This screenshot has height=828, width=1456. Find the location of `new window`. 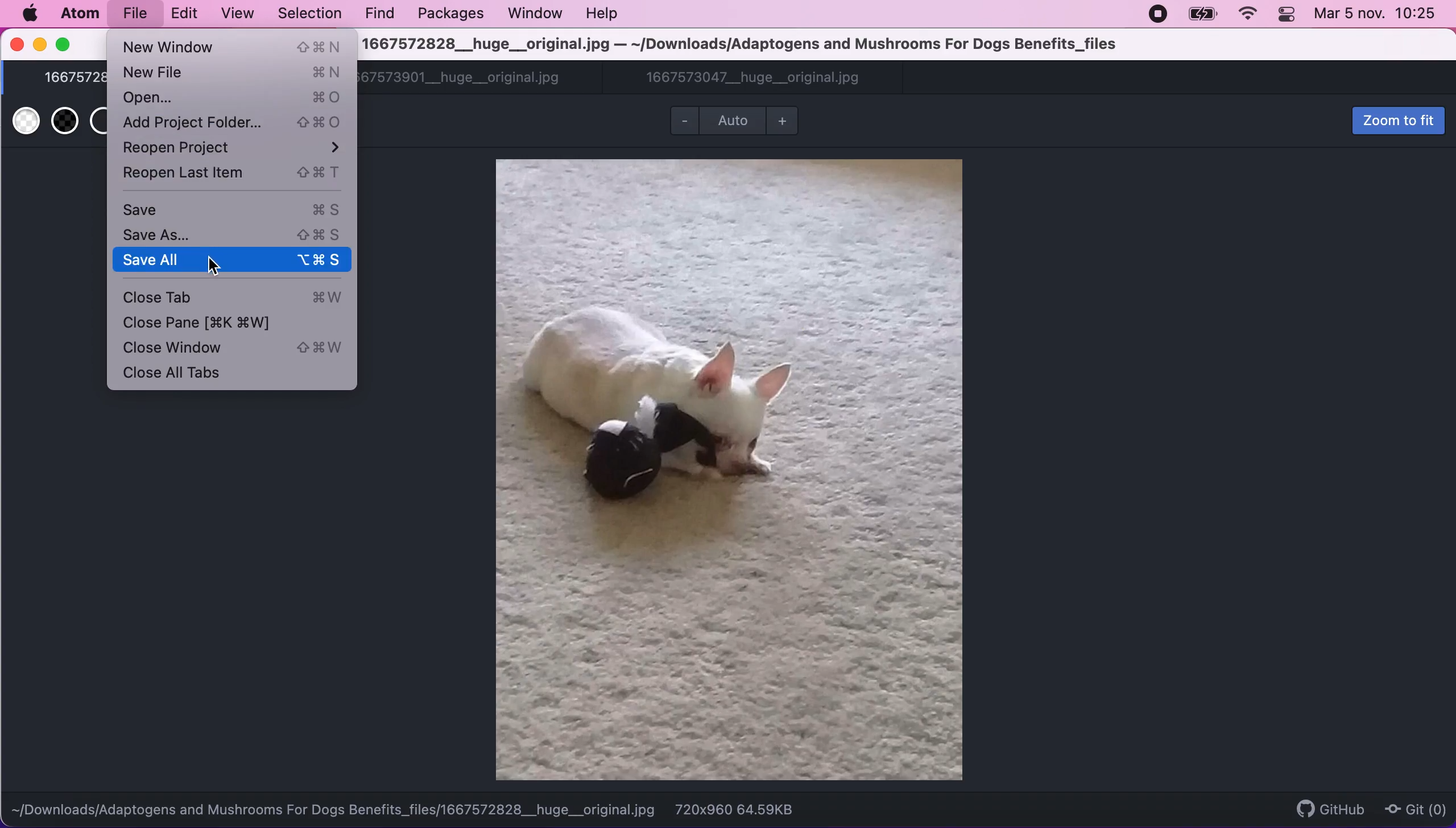

new window is located at coordinates (227, 45).